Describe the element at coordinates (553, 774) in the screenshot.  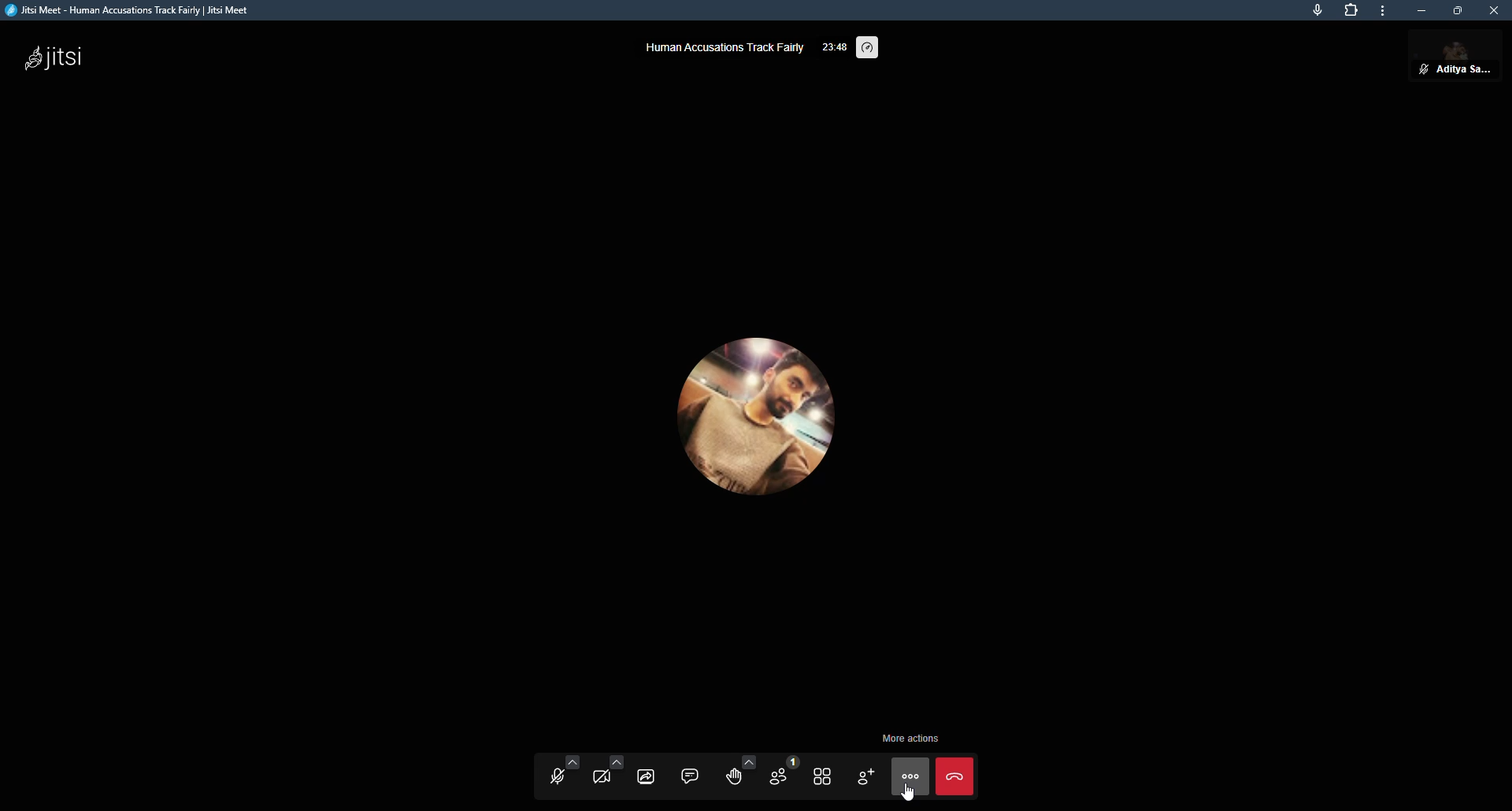
I see `start  mic` at that location.